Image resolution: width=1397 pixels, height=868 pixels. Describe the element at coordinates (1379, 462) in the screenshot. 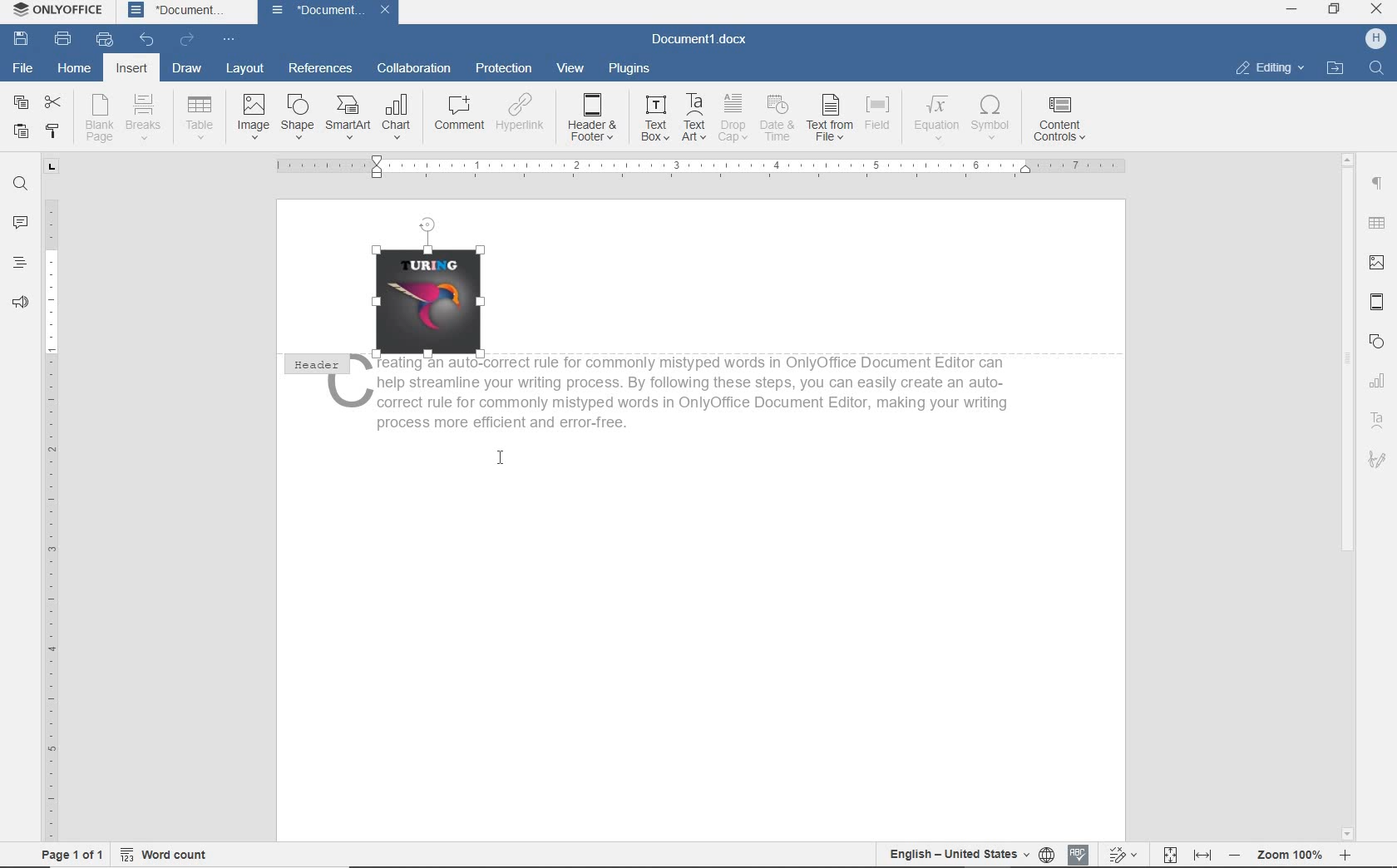

I see `SIGNATURE` at that location.